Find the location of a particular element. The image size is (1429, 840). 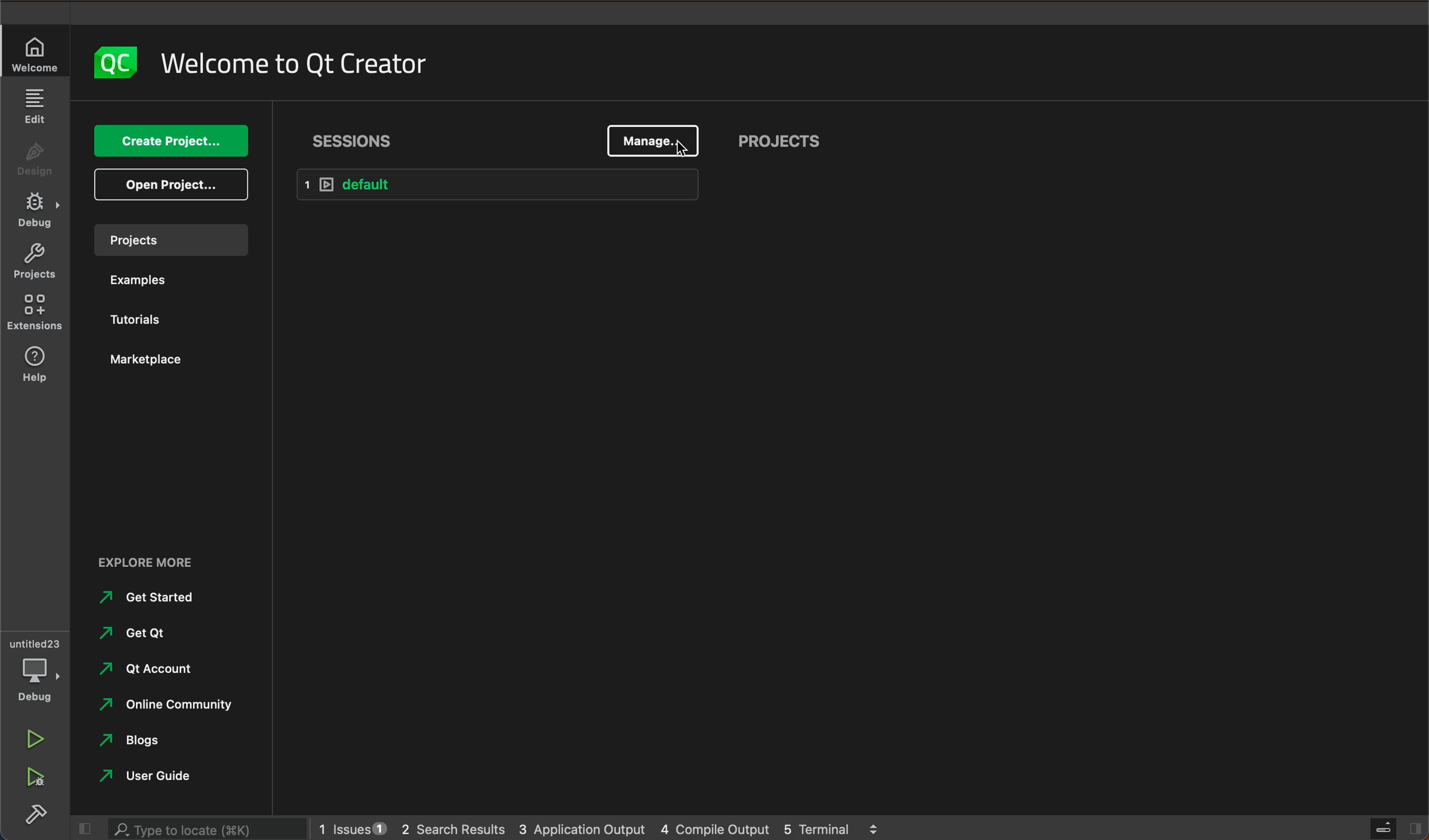

close slide bar is located at coordinates (81, 829).